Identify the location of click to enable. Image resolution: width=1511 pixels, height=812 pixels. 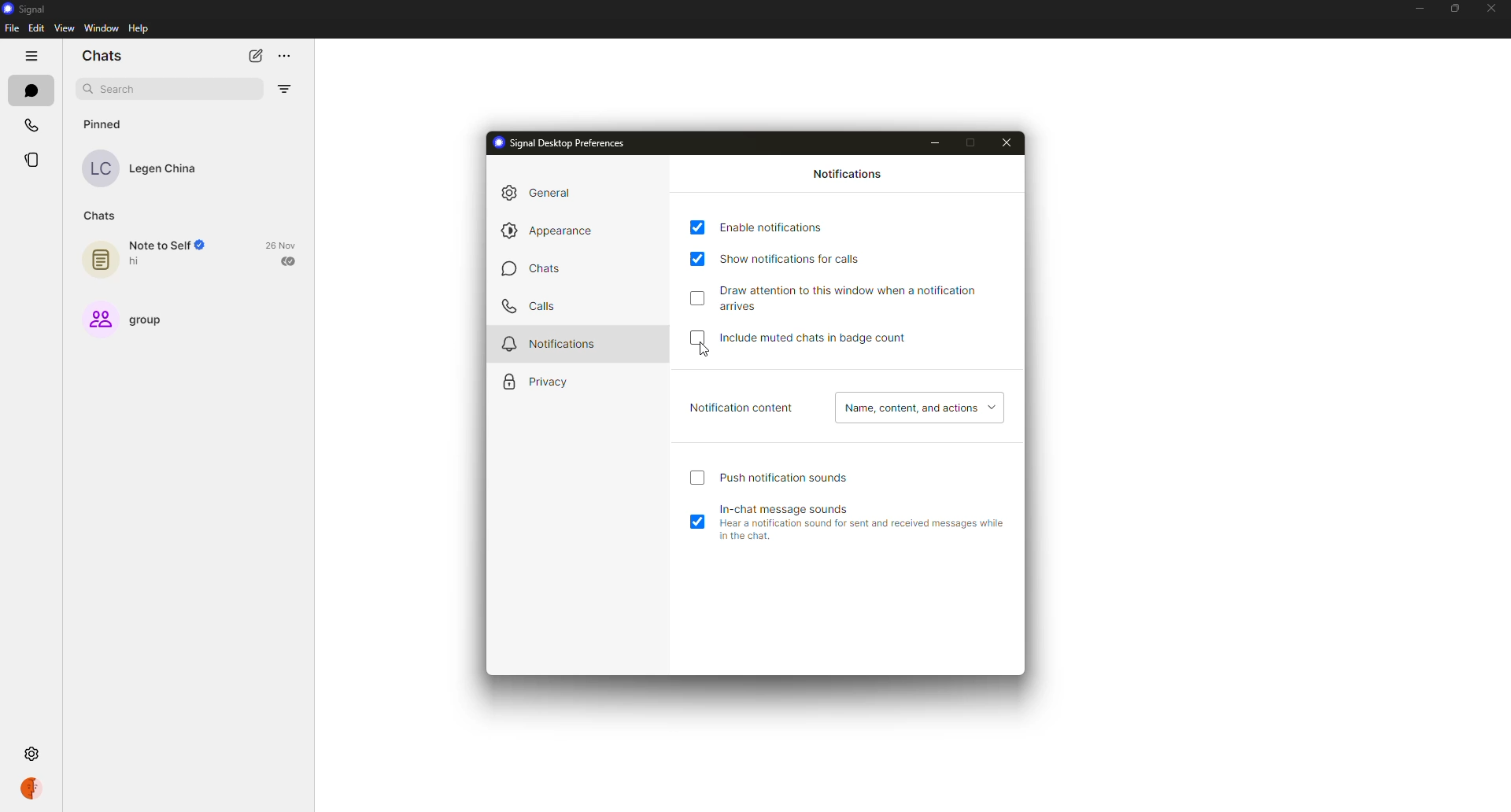
(699, 297).